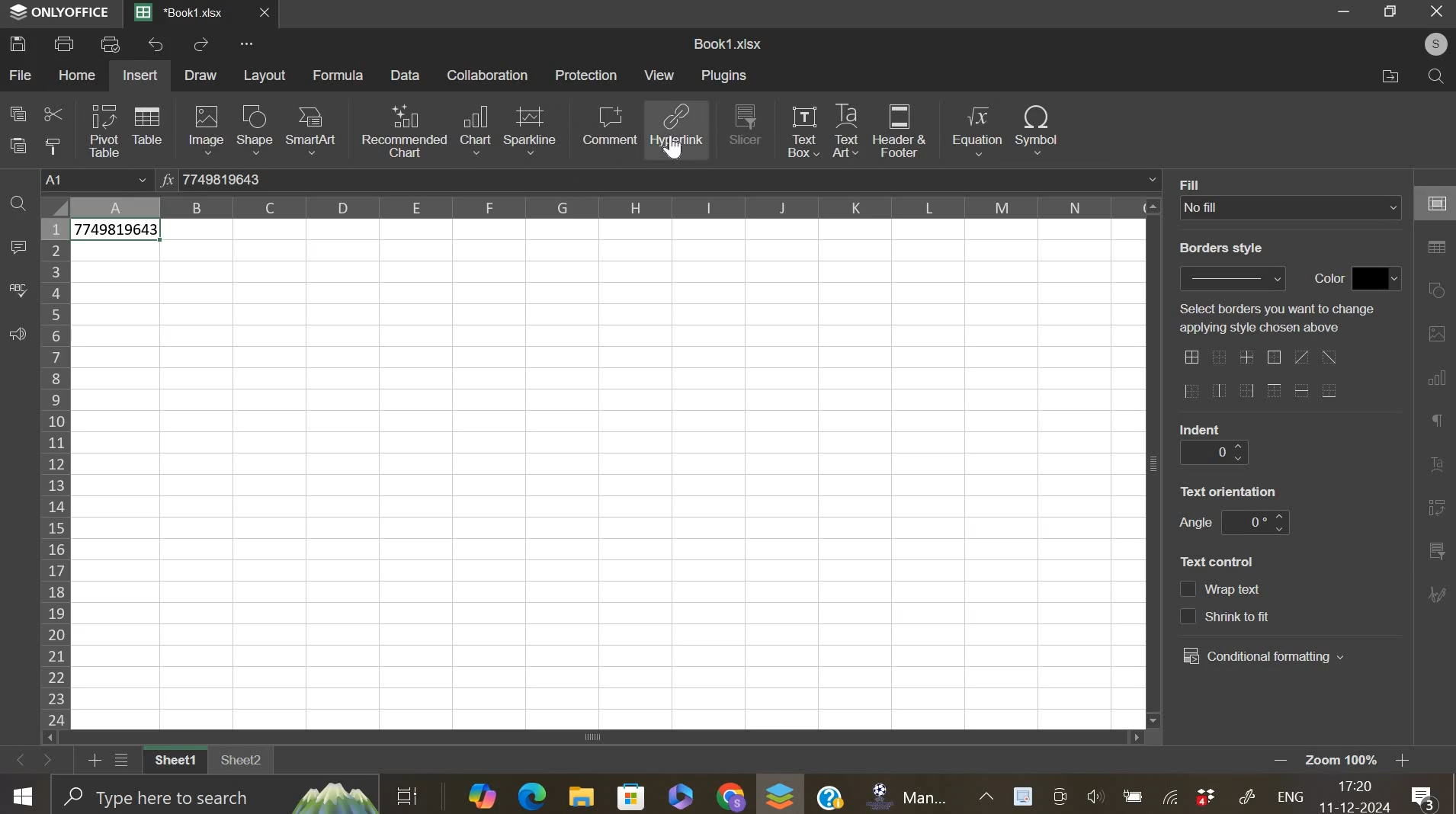 This screenshot has width=1456, height=814. What do you see at coordinates (1291, 207) in the screenshot?
I see `background fill` at bounding box center [1291, 207].